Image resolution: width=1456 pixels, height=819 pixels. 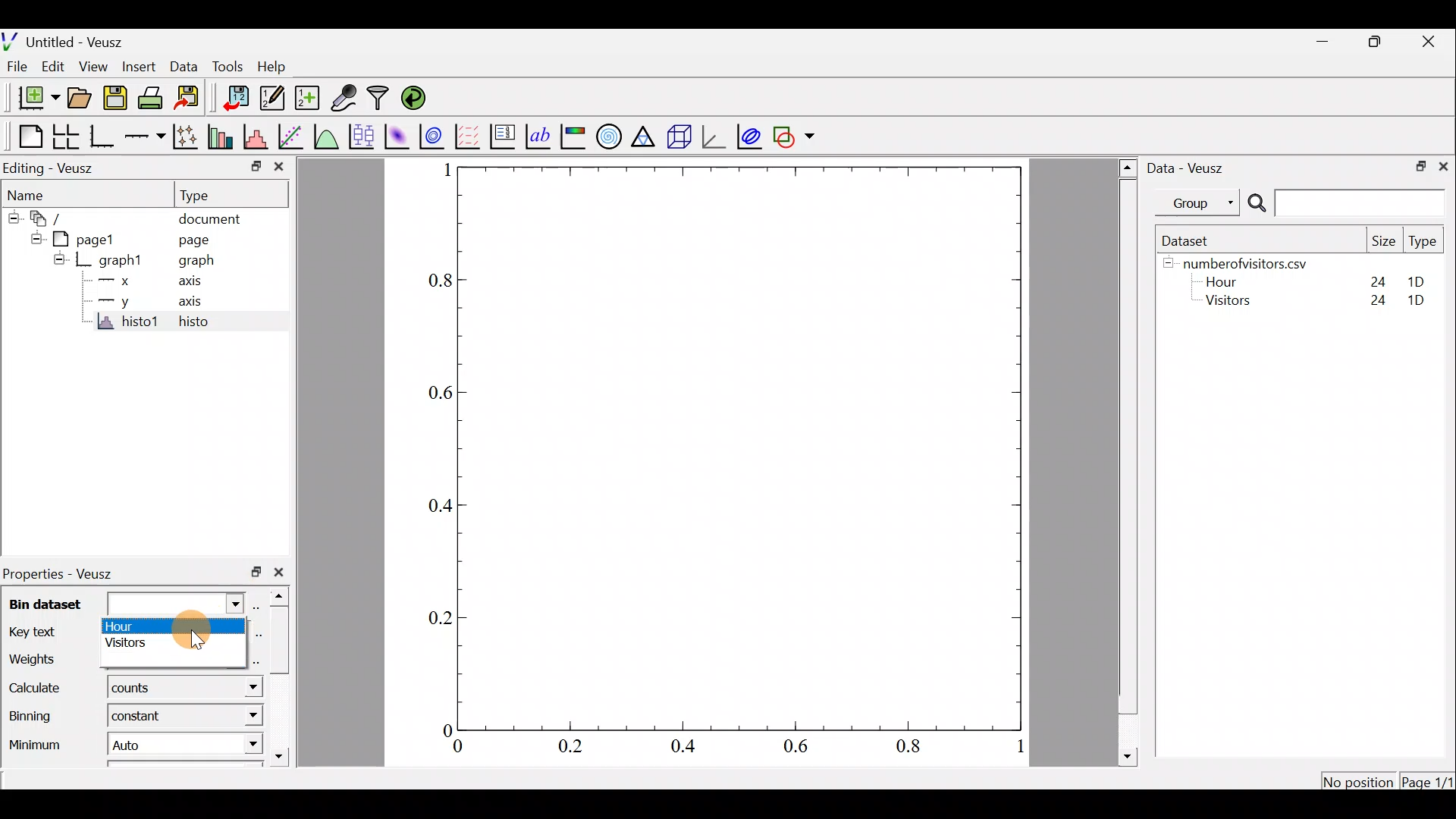 What do you see at coordinates (431, 136) in the screenshot?
I see `plot a 2d dataset as contours` at bounding box center [431, 136].